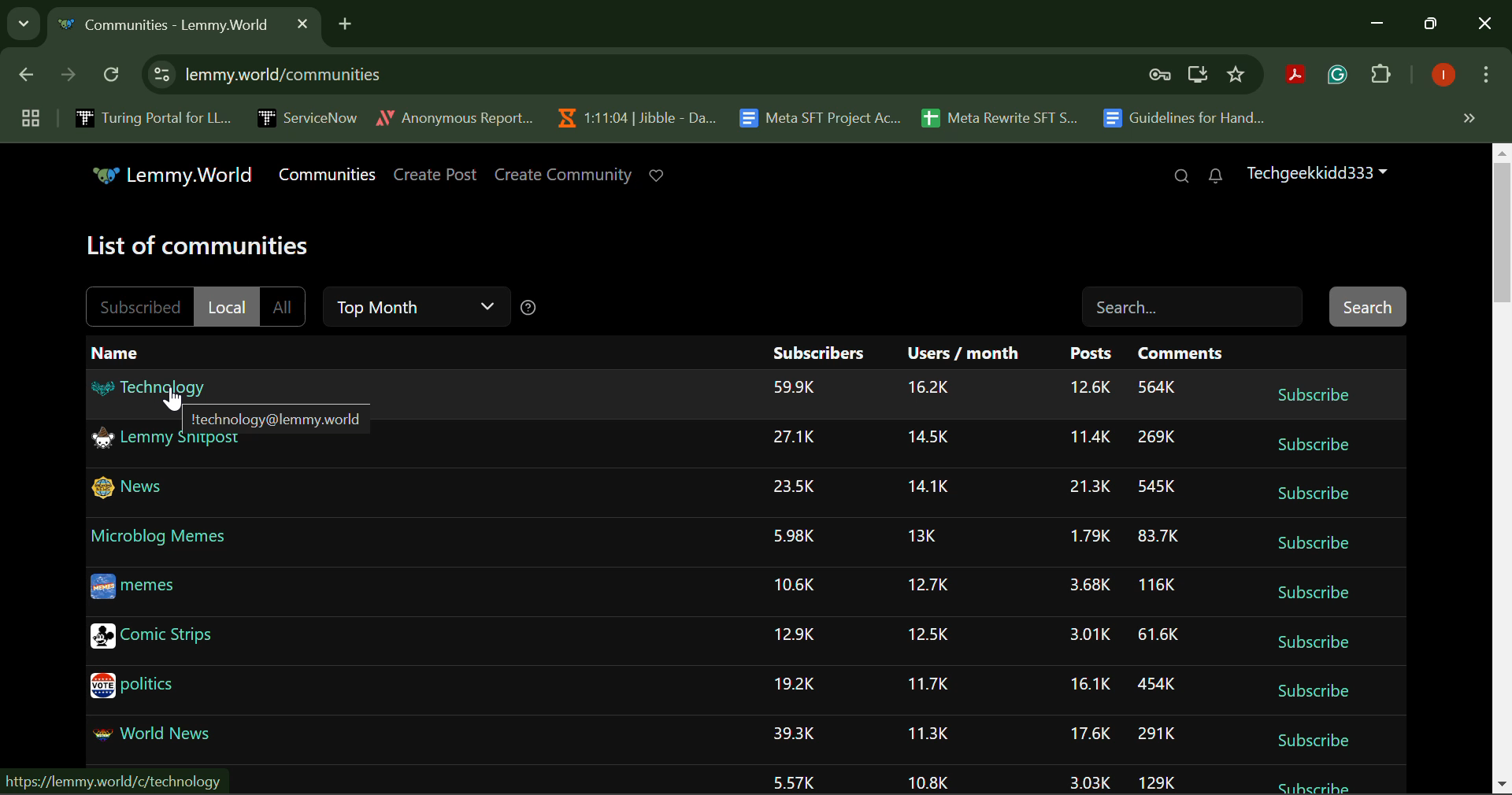 This screenshot has width=1512, height=795. Describe the element at coordinates (150, 117) in the screenshot. I see `Turing Portal for LLM` at that location.